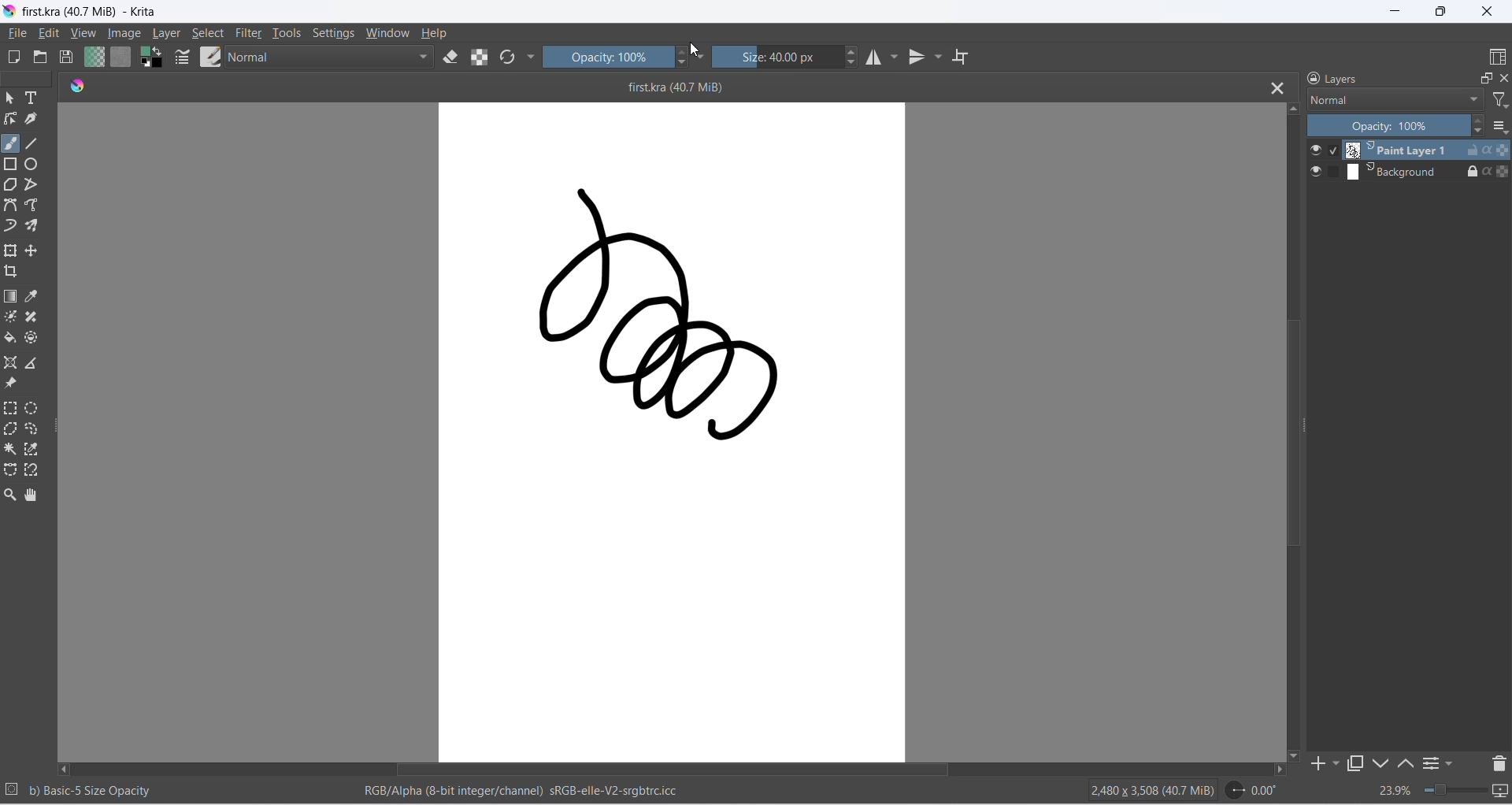  Describe the element at coordinates (507, 57) in the screenshot. I see `reload original presets` at that location.